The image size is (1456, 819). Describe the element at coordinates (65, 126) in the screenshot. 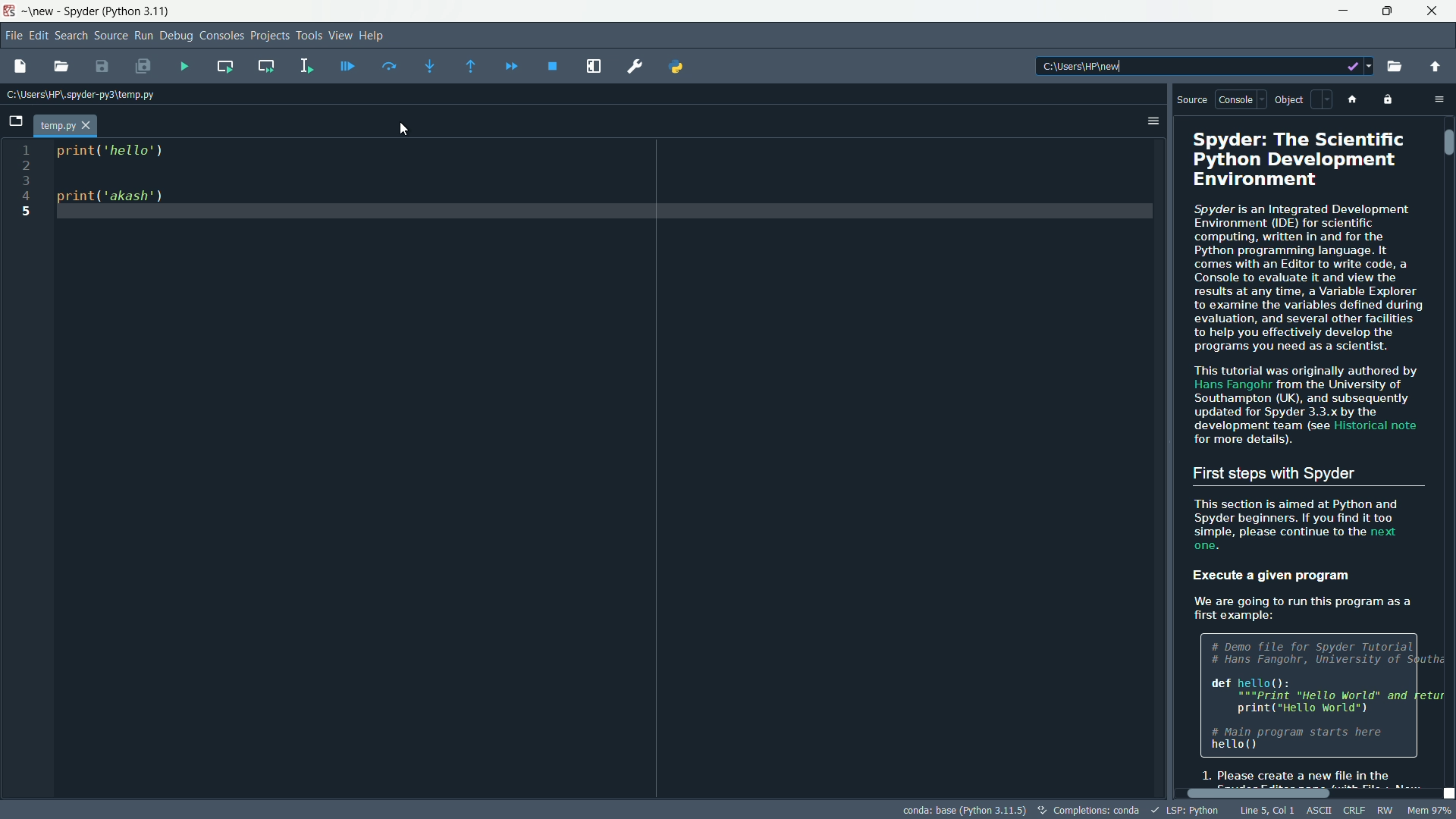

I see `file name` at that location.